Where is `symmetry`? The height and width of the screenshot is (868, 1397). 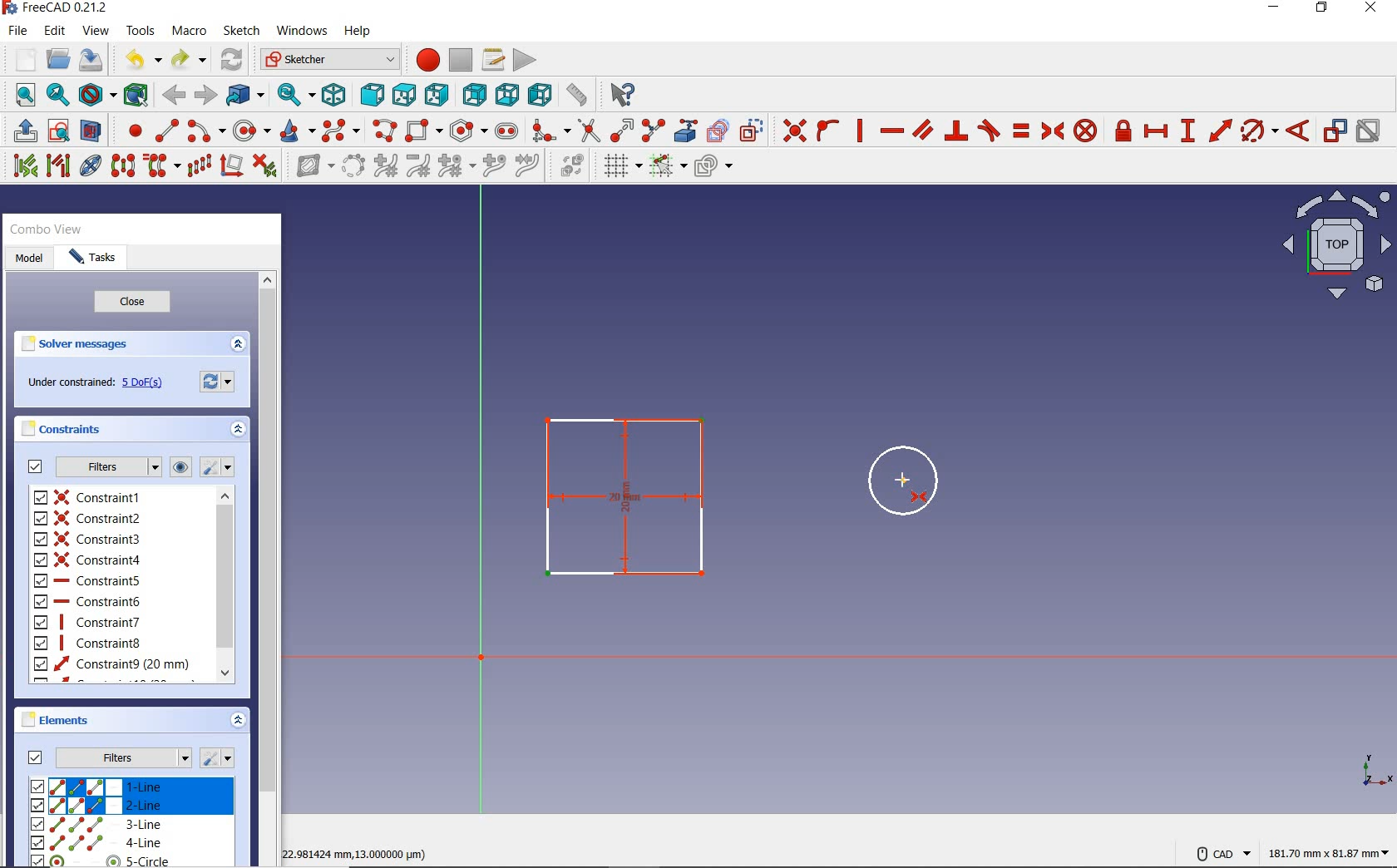 symmetry is located at coordinates (124, 168).